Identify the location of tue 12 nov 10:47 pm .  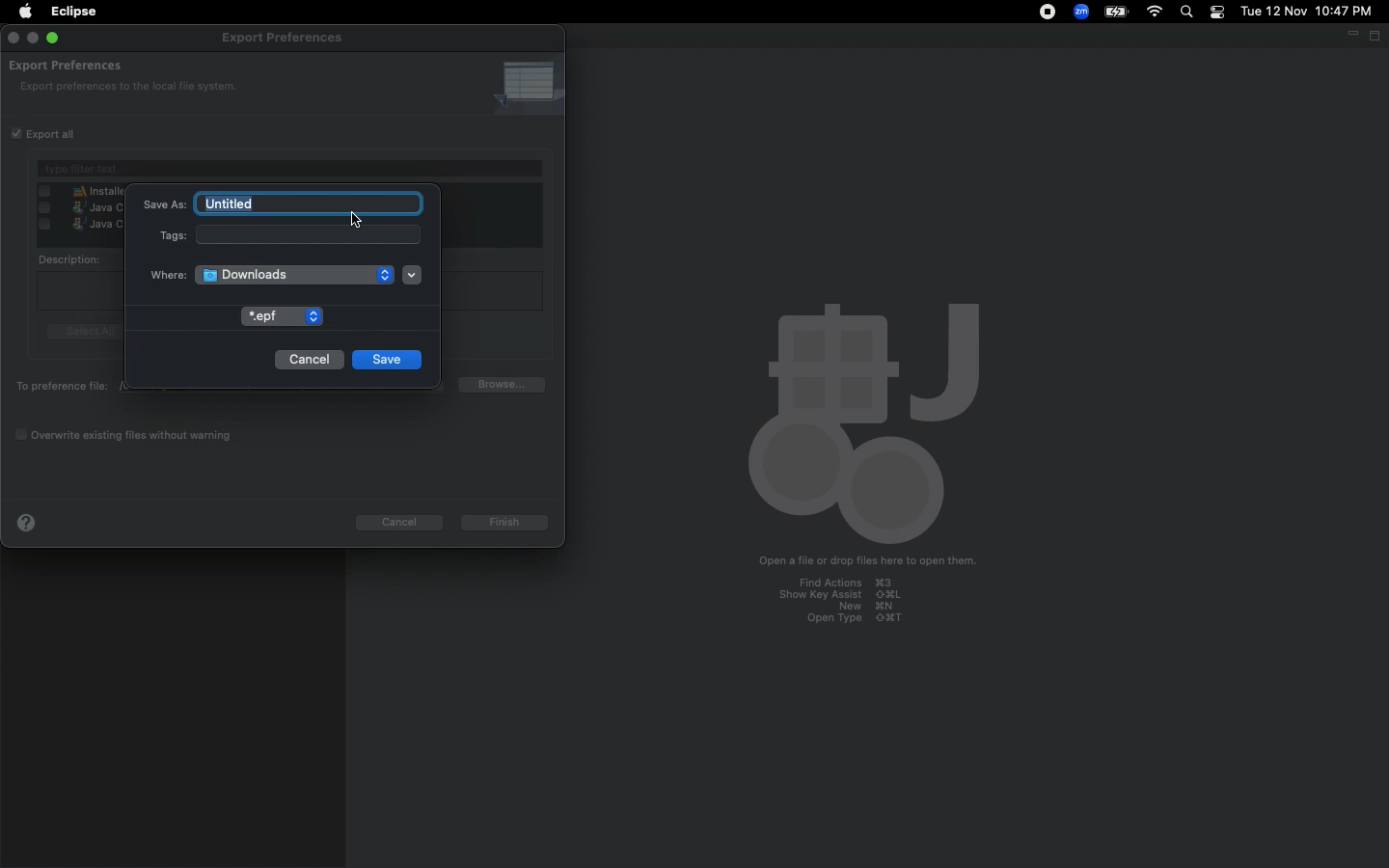
(1305, 10).